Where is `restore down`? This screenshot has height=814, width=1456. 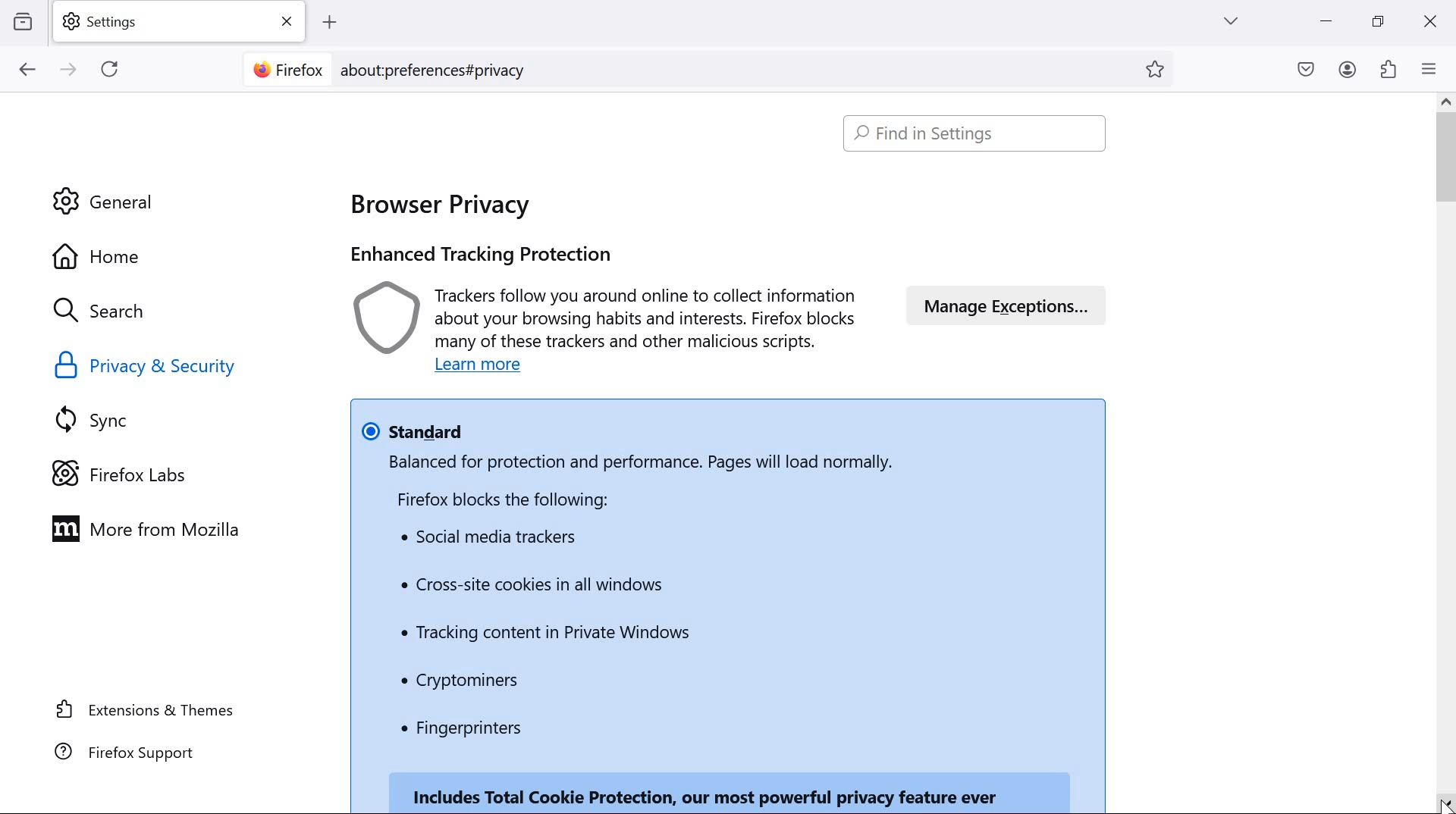 restore down is located at coordinates (1379, 20).